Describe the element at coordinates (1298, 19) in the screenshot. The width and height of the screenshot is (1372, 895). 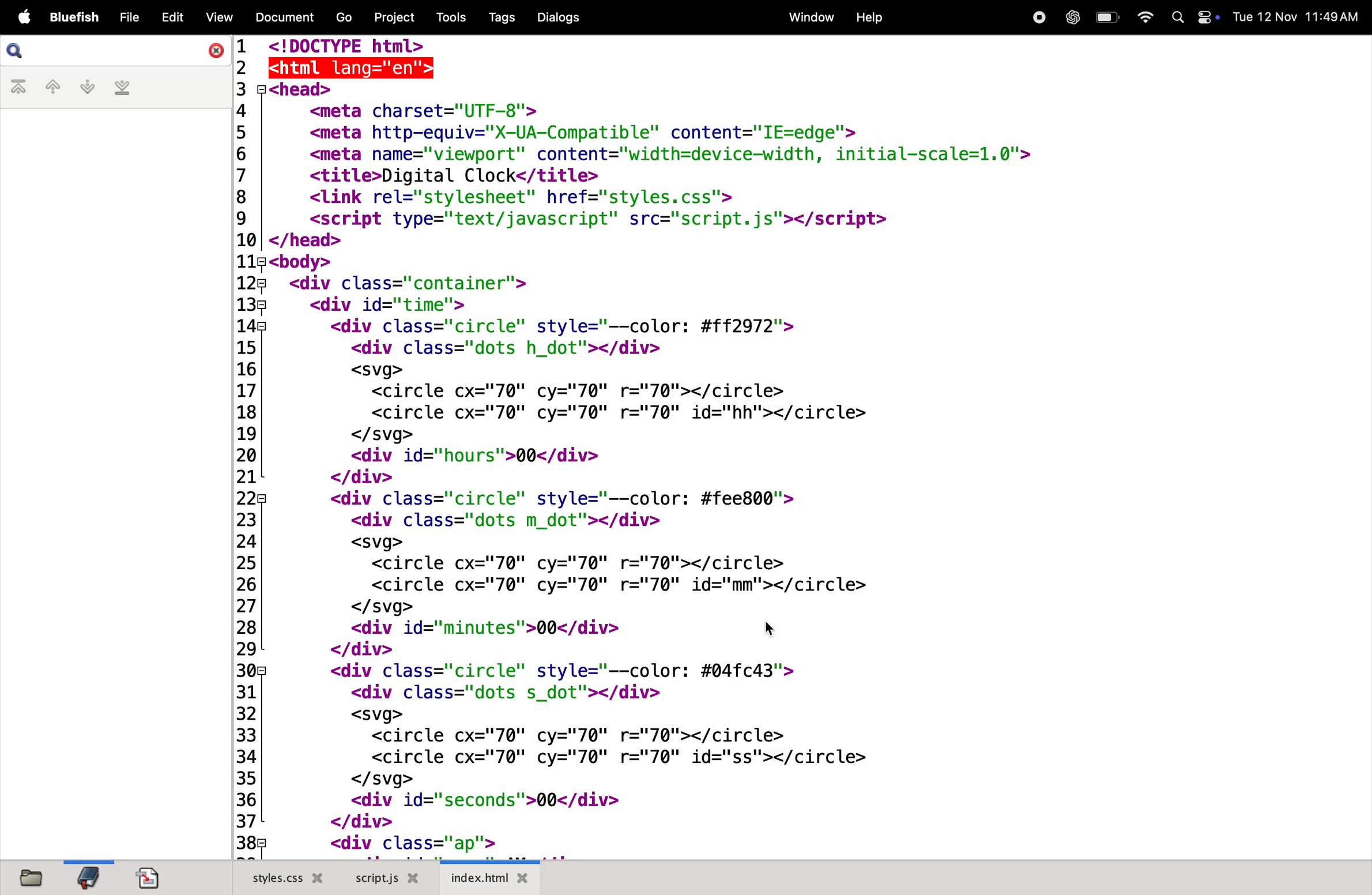
I see `date and time` at that location.